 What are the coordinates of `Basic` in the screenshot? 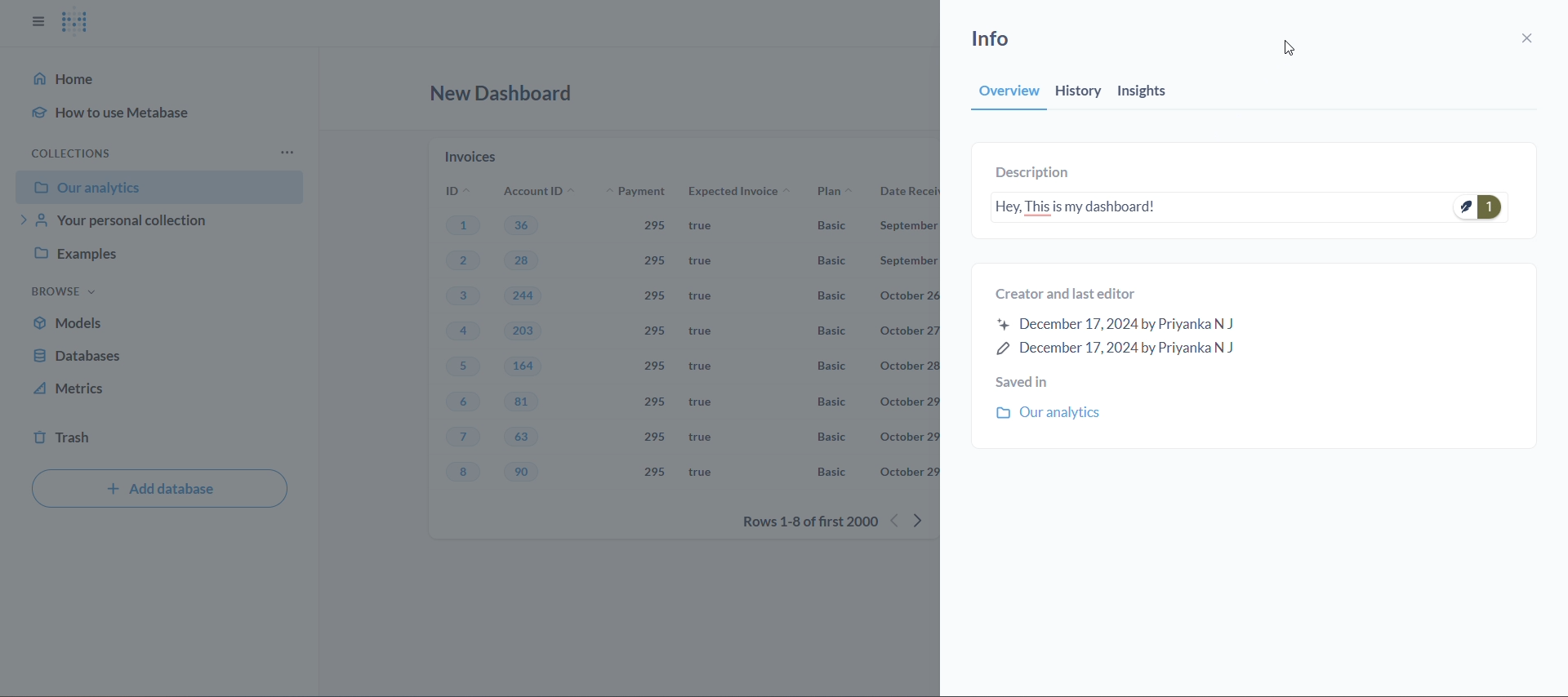 It's located at (830, 226).